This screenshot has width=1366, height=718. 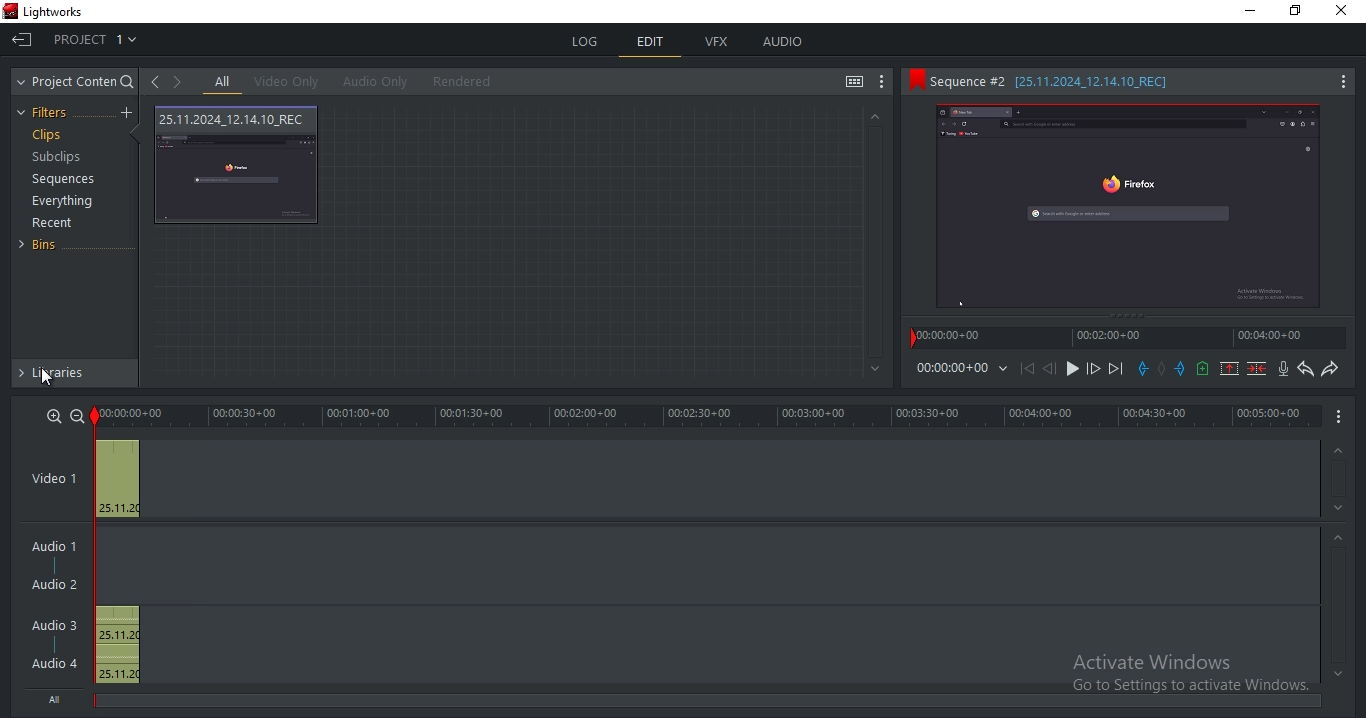 What do you see at coordinates (1253, 14) in the screenshot?
I see `minimize` at bounding box center [1253, 14].